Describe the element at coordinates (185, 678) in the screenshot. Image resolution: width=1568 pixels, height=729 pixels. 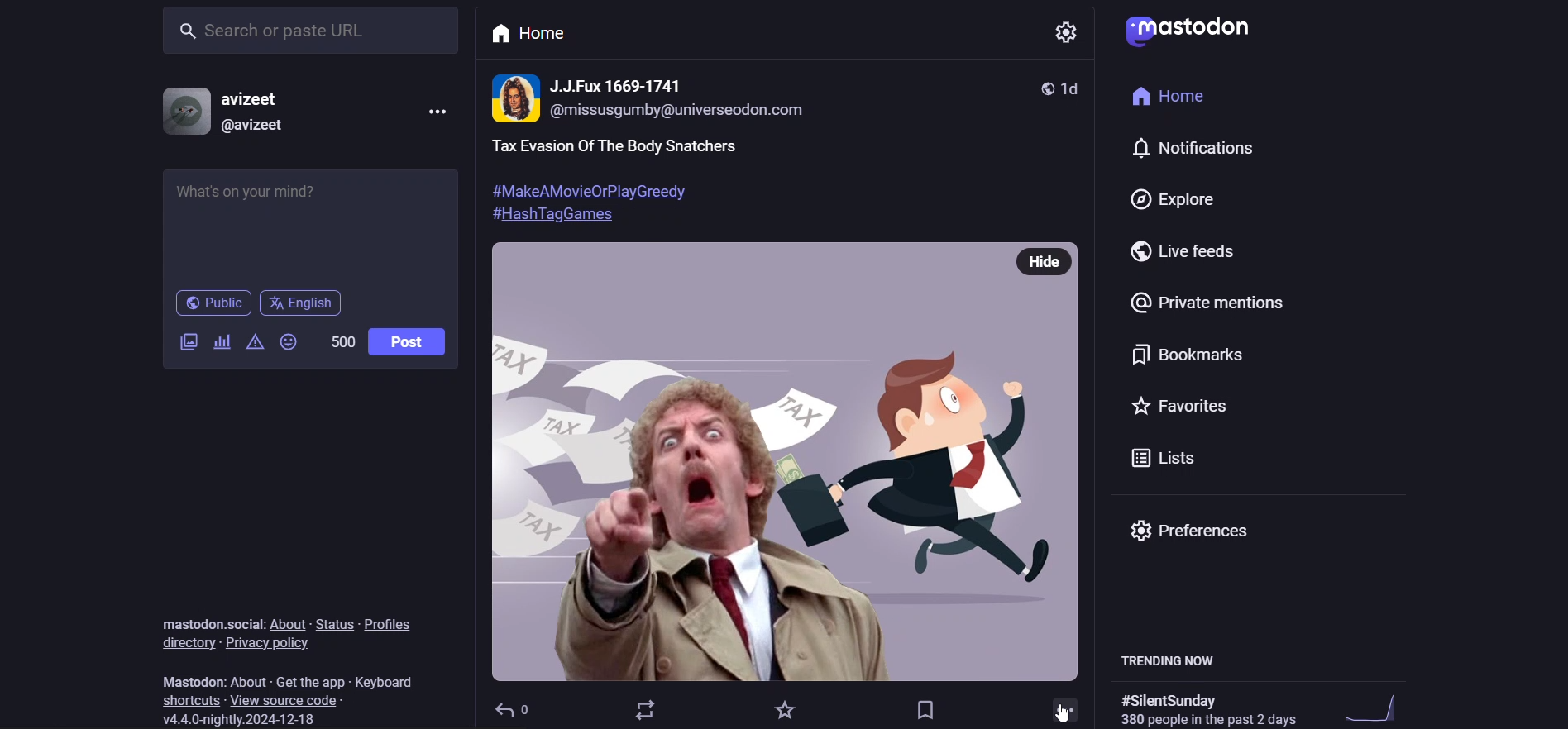
I see `mastodon` at that location.